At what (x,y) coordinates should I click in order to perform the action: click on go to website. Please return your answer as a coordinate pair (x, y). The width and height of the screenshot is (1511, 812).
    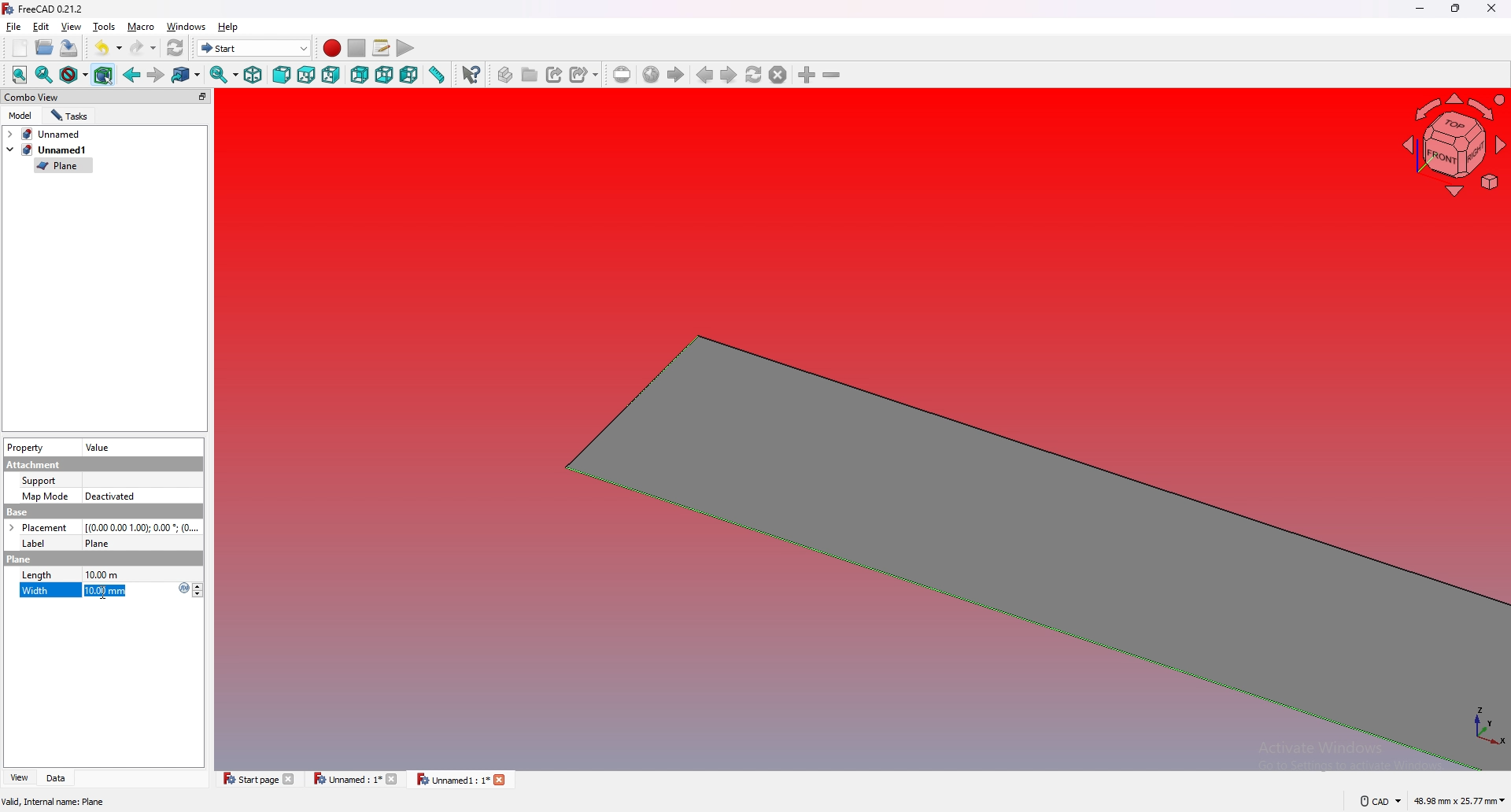
    Looking at the image, I should click on (651, 76).